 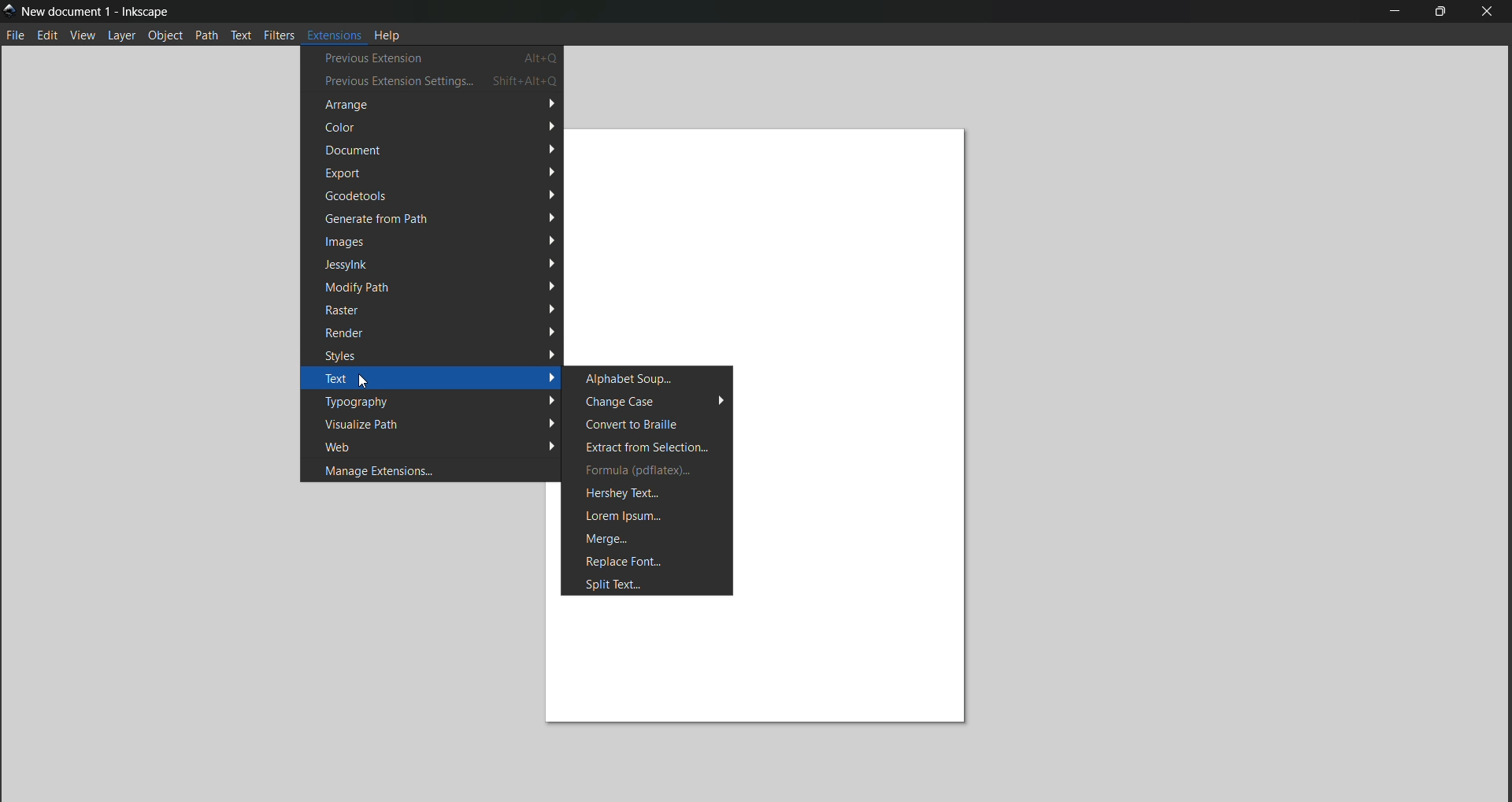 I want to click on visualize path, so click(x=436, y=423).